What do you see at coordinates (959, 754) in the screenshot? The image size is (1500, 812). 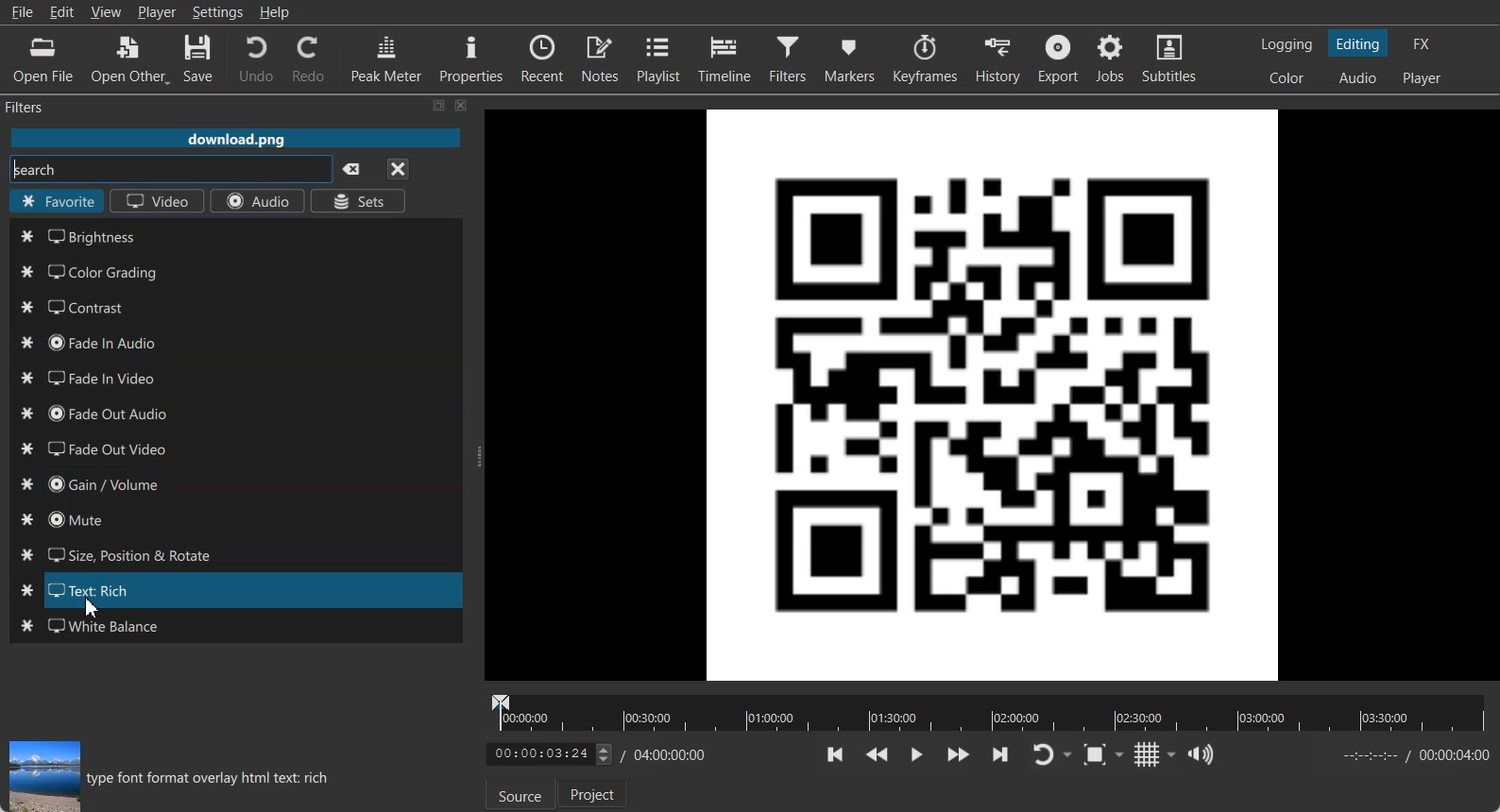 I see `Play Quickly Forward` at bounding box center [959, 754].